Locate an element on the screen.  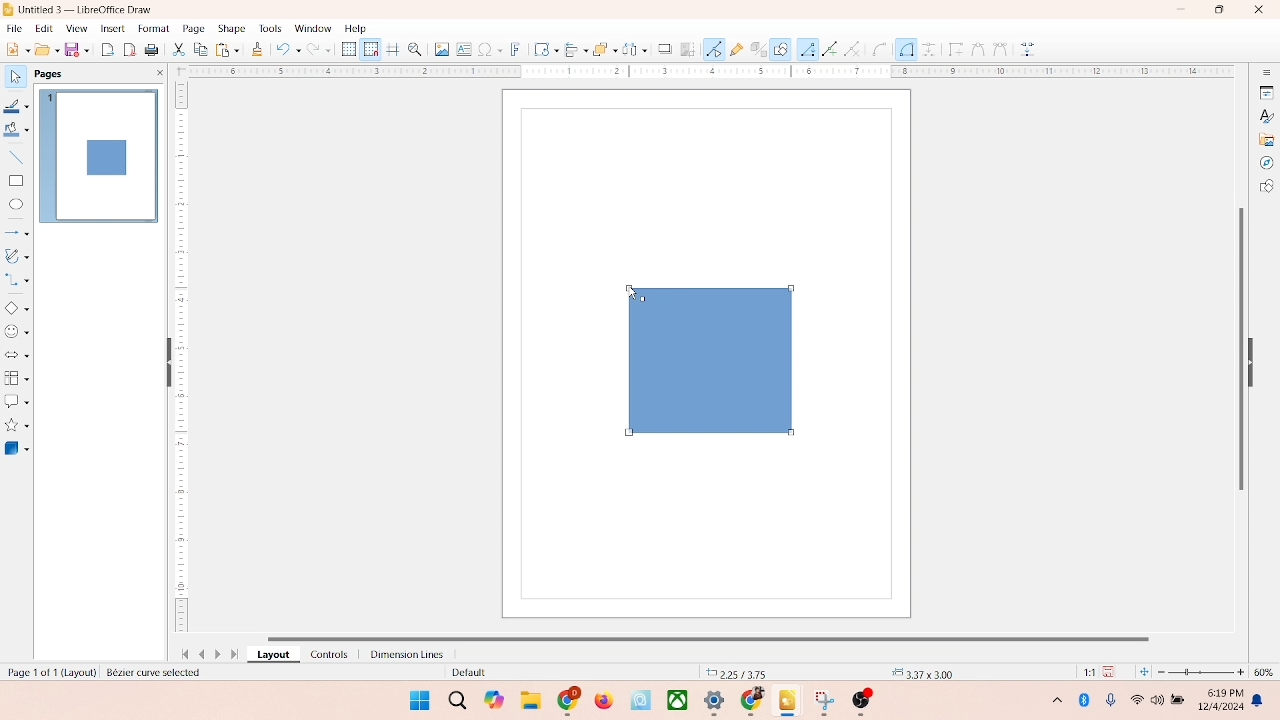
select at least three object to distribute is located at coordinates (630, 50).